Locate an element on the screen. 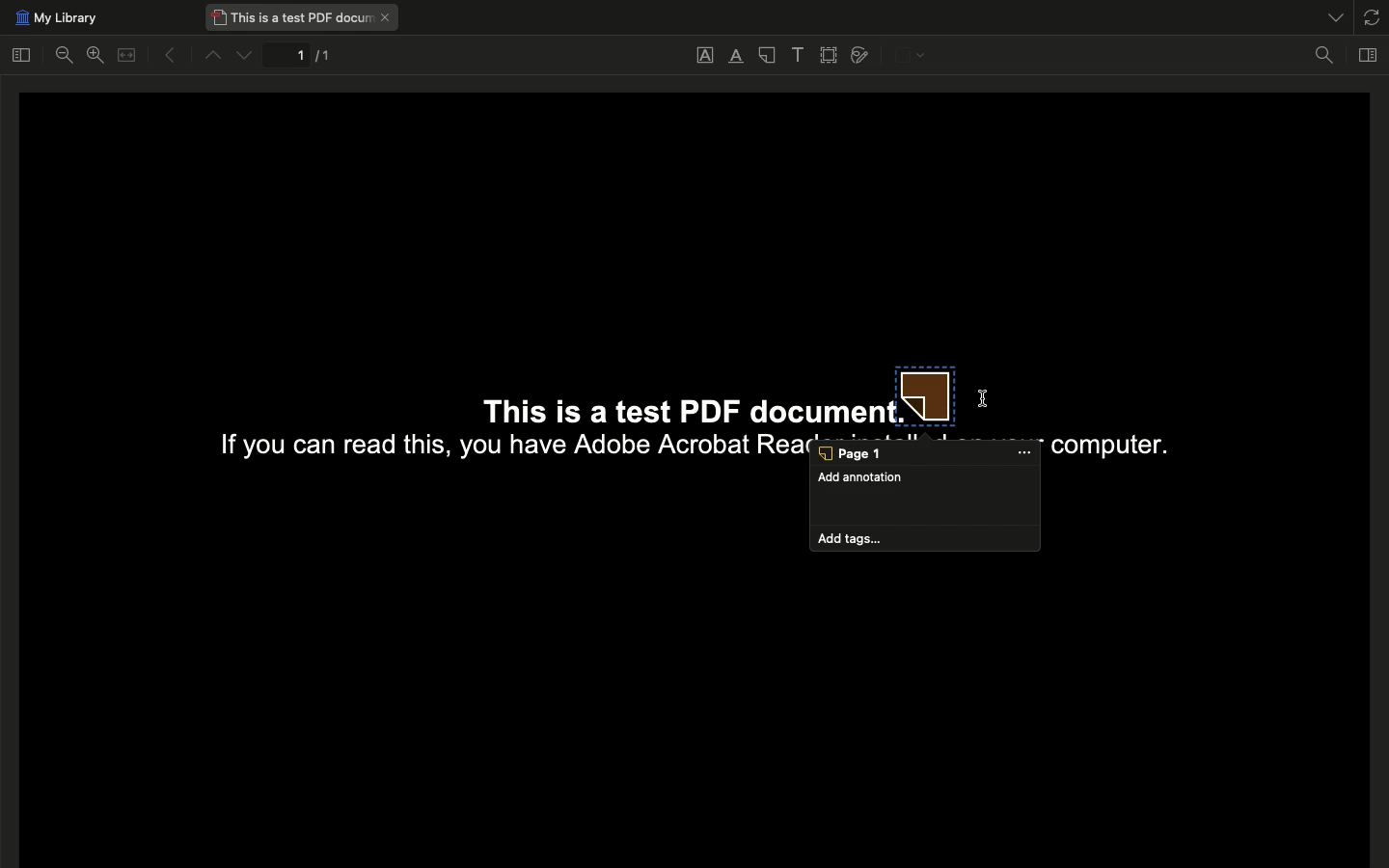 Image resolution: width=1389 pixels, height=868 pixels. My library is located at coordinates (54, 18).